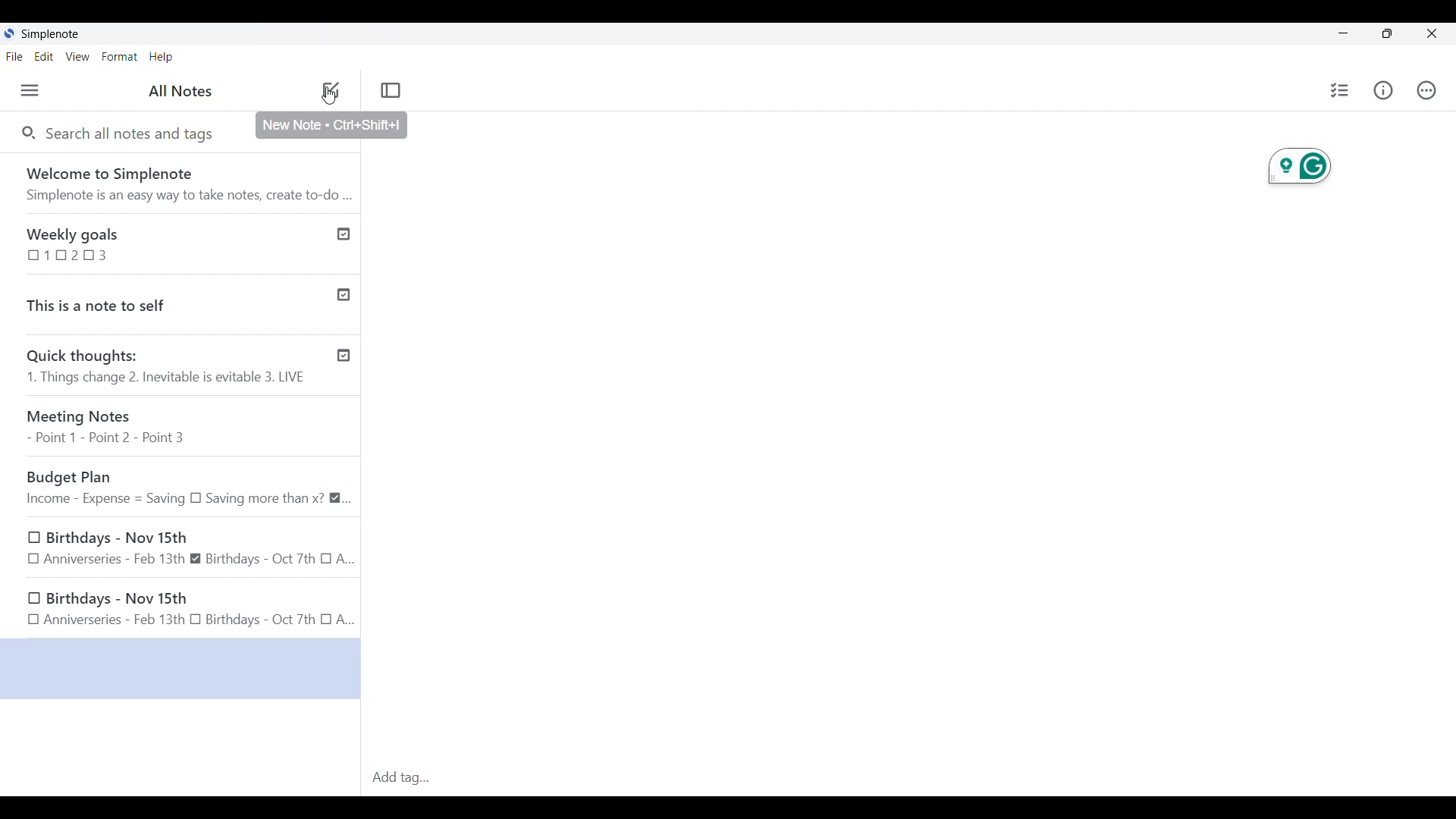 The image size is (1456, 819). Describe the element at coordinates (50, 34) in the screenshot. I see `Software name` at that location.